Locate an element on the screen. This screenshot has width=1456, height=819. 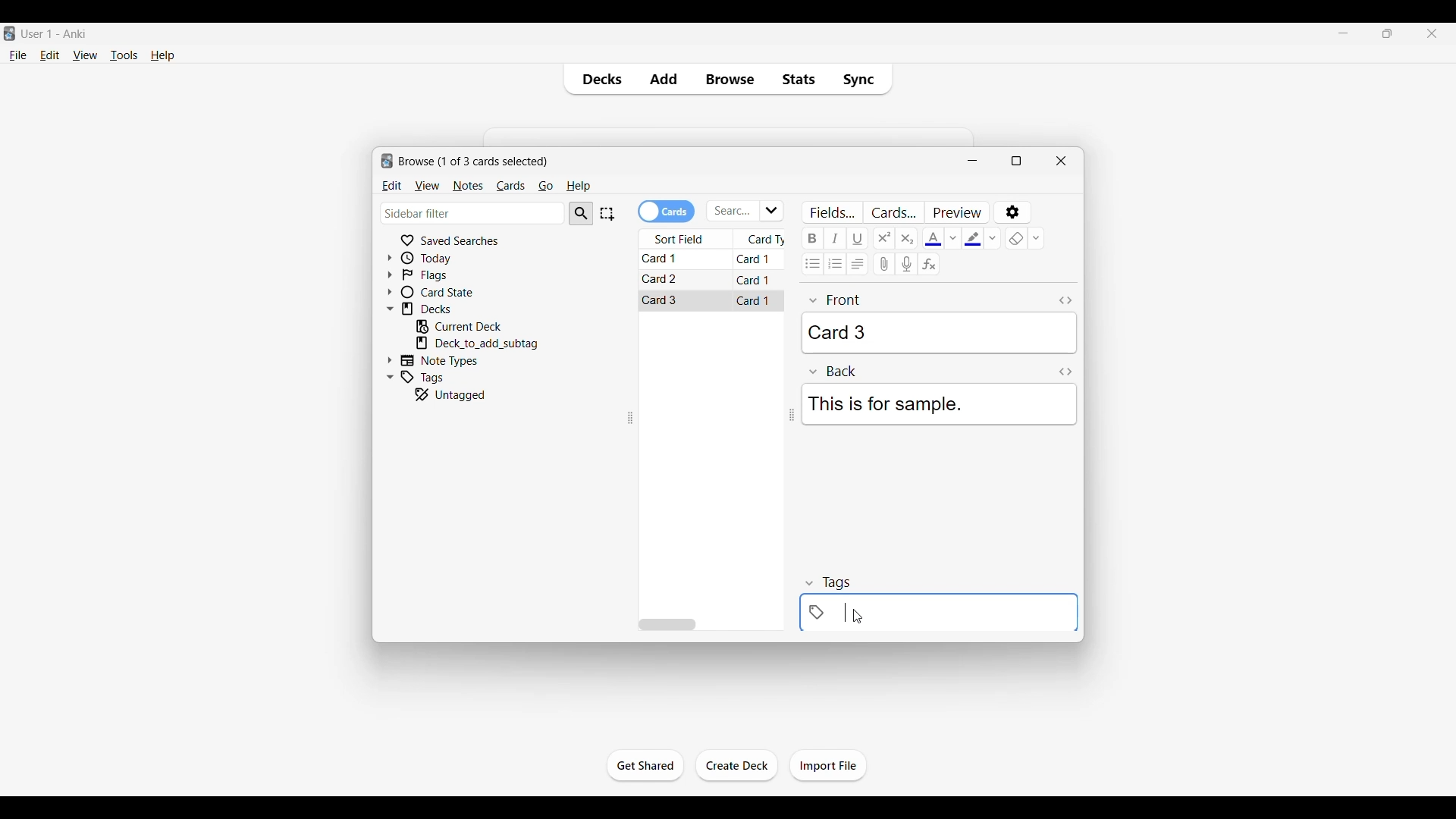
Record audio is located at coordinates (906, 264).